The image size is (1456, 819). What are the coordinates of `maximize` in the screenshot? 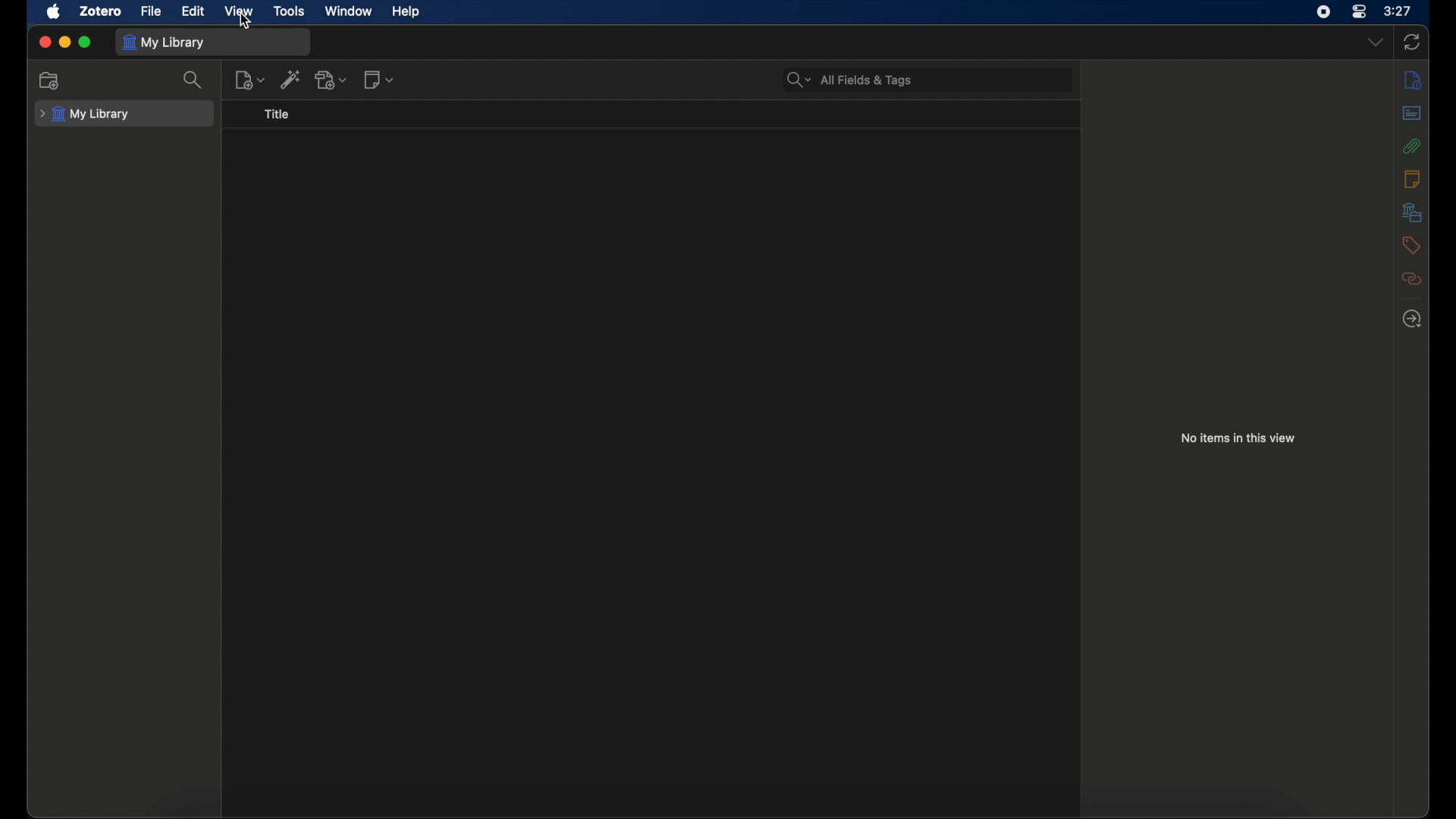 It's located at (87, 42).